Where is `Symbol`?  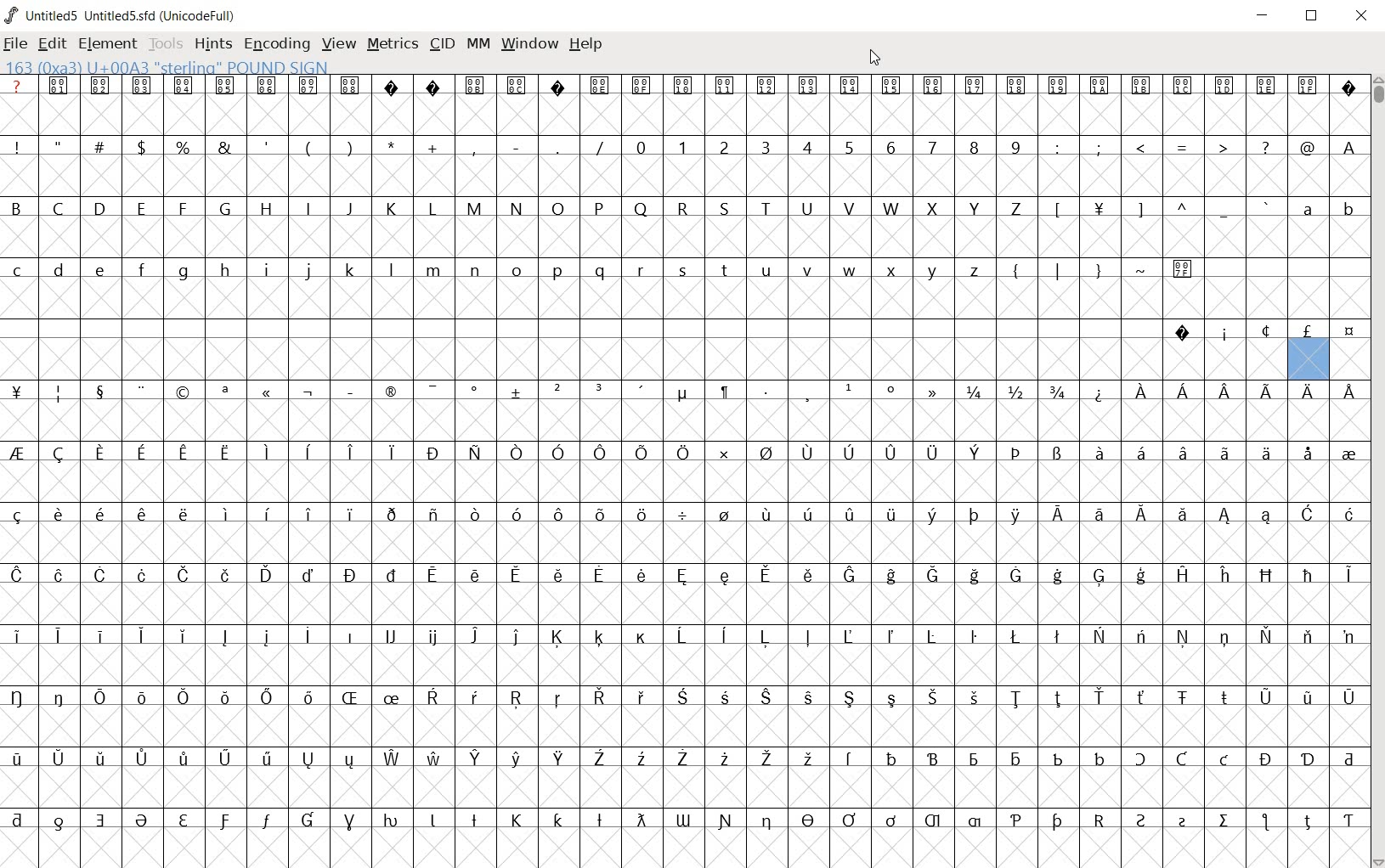
Symbol is located at coordinates (224, 573).